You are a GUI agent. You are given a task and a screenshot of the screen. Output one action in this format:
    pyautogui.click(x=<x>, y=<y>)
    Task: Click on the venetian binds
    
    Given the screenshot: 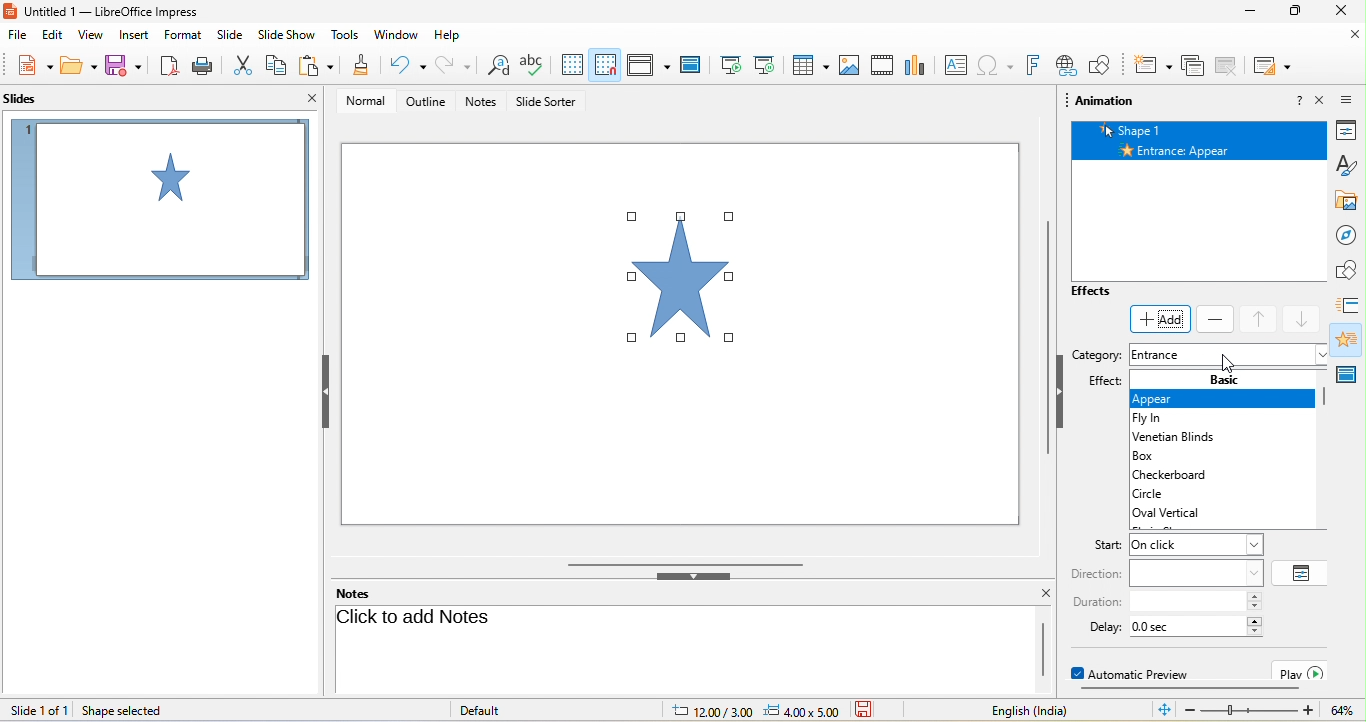 What is the action you would take?
    pyautogui.click(x=1171, y=438)
    